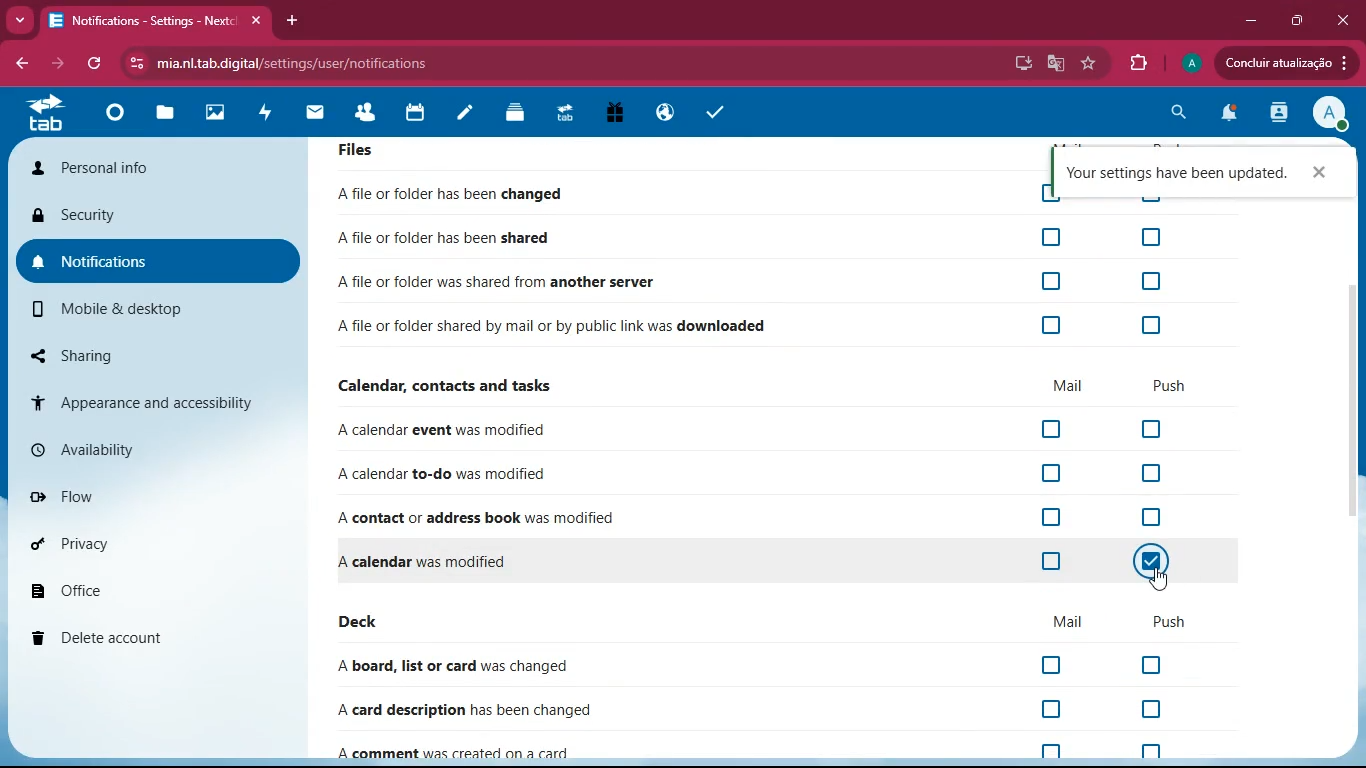 The width and height of the screenshot is (1366, 768). I want to click on tab, so click(47, 116).